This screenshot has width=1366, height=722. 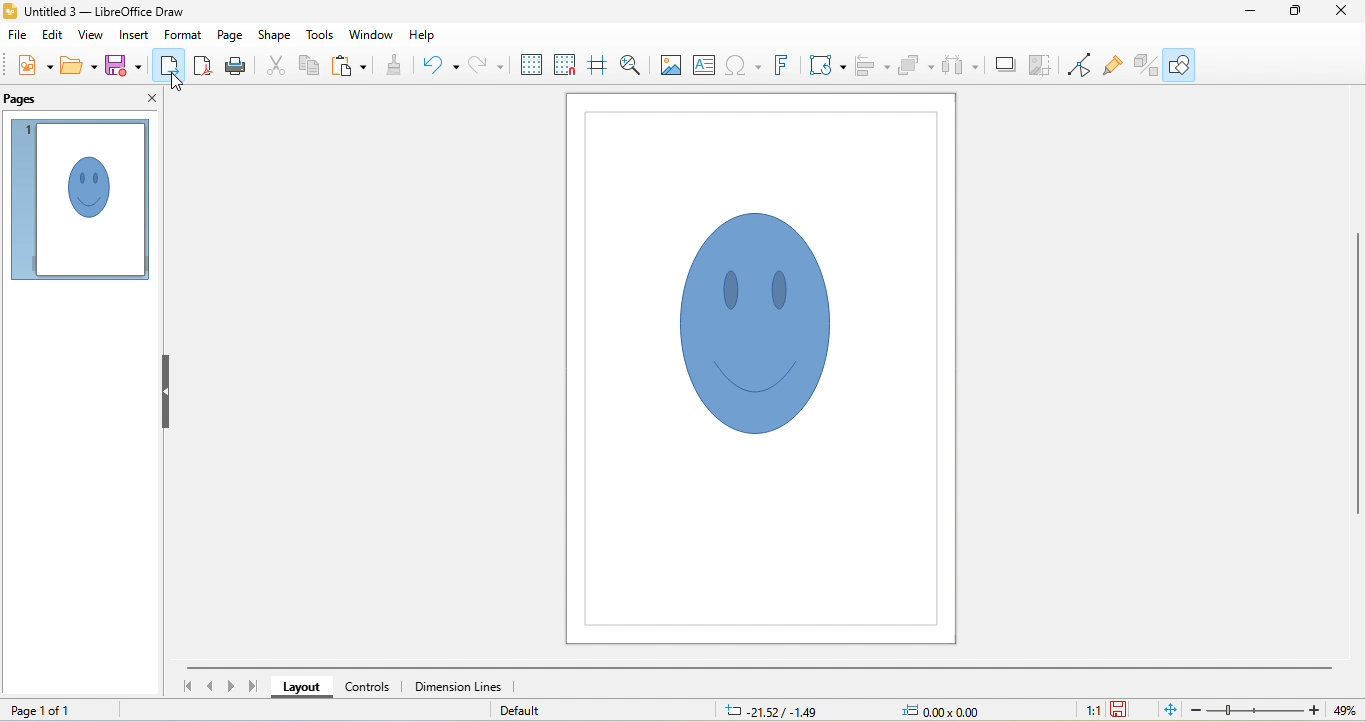 I want to click on open, so click(x=82, y=68).